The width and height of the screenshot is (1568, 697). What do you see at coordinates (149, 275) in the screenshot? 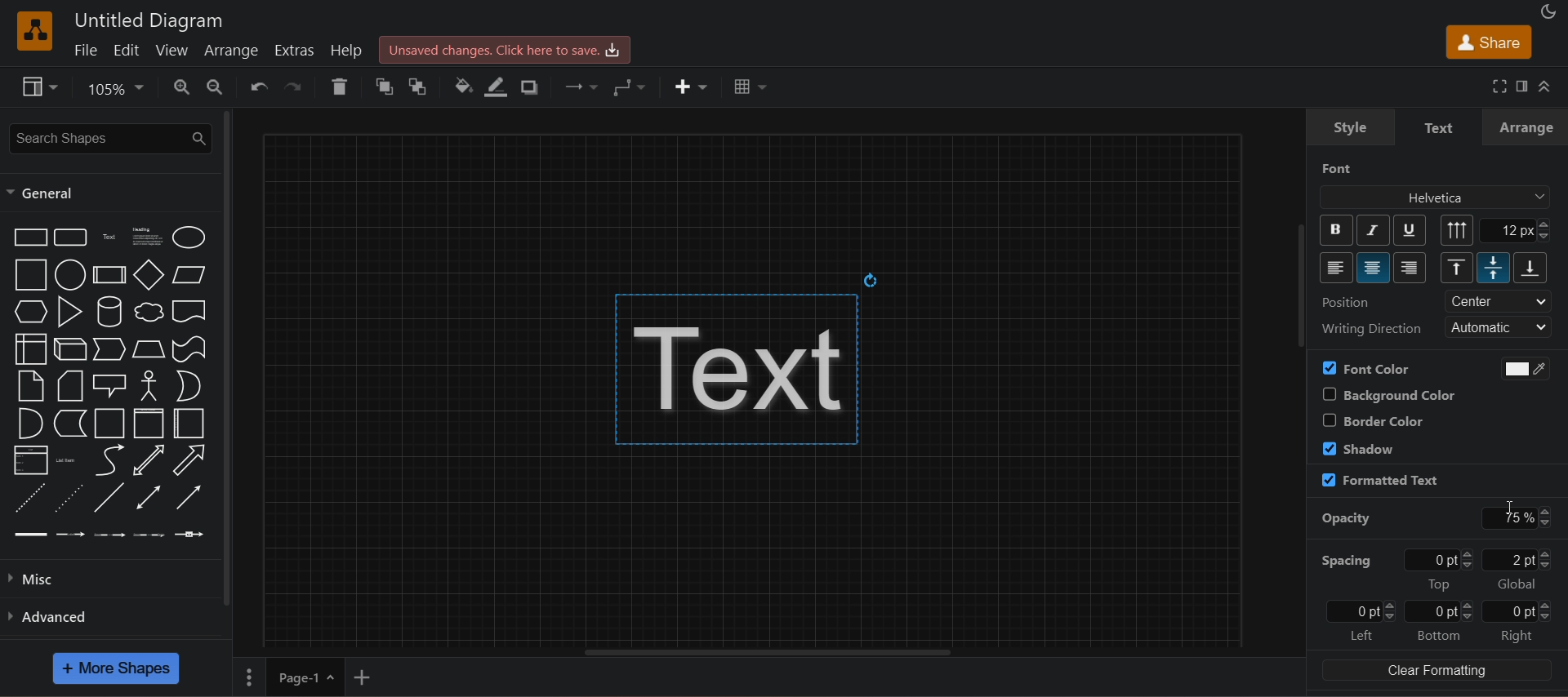
I see `diamond` at bounding box center [149, 275].